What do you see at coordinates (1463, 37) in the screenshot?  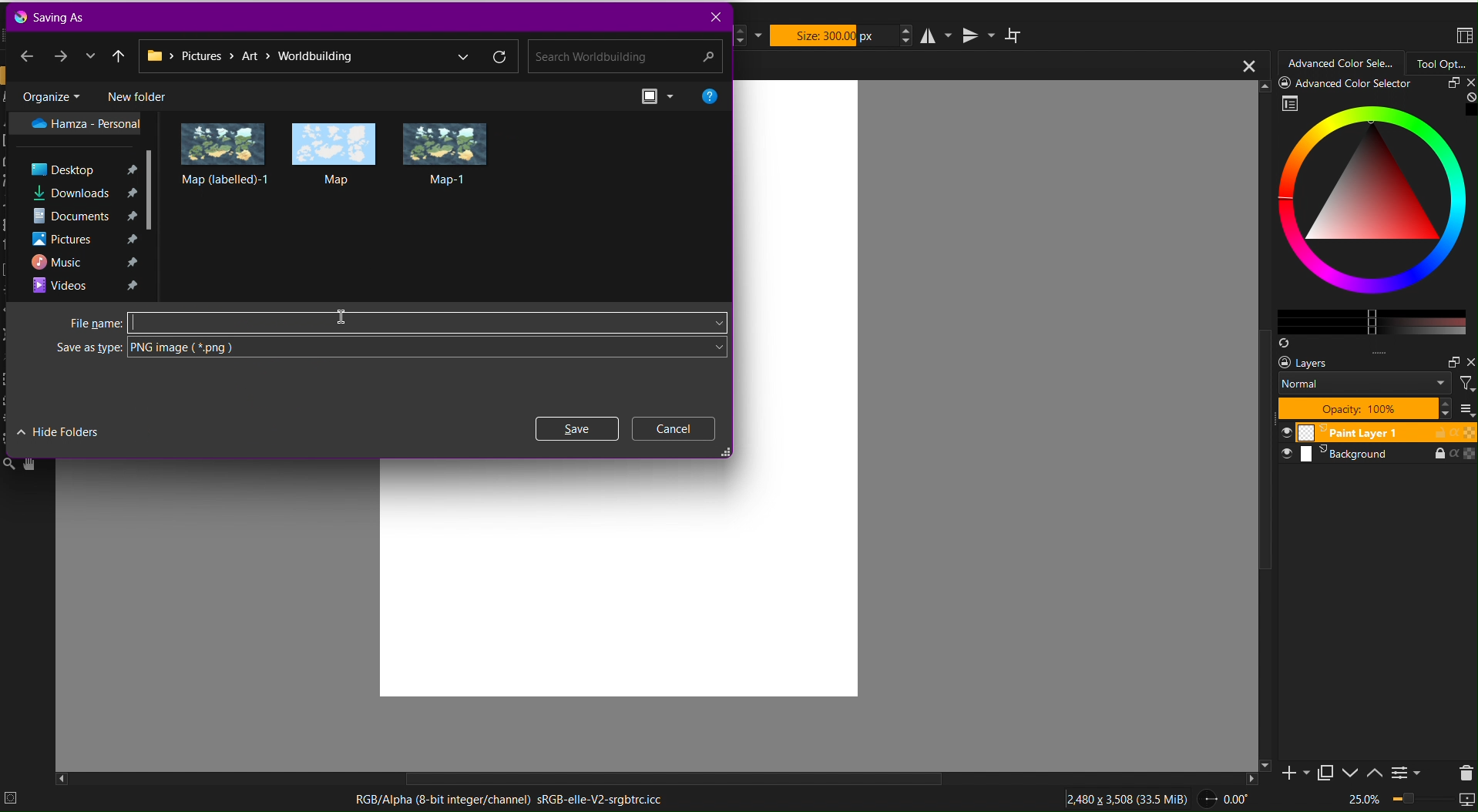 I see `Workspace` at bounding box center [1463, 37].